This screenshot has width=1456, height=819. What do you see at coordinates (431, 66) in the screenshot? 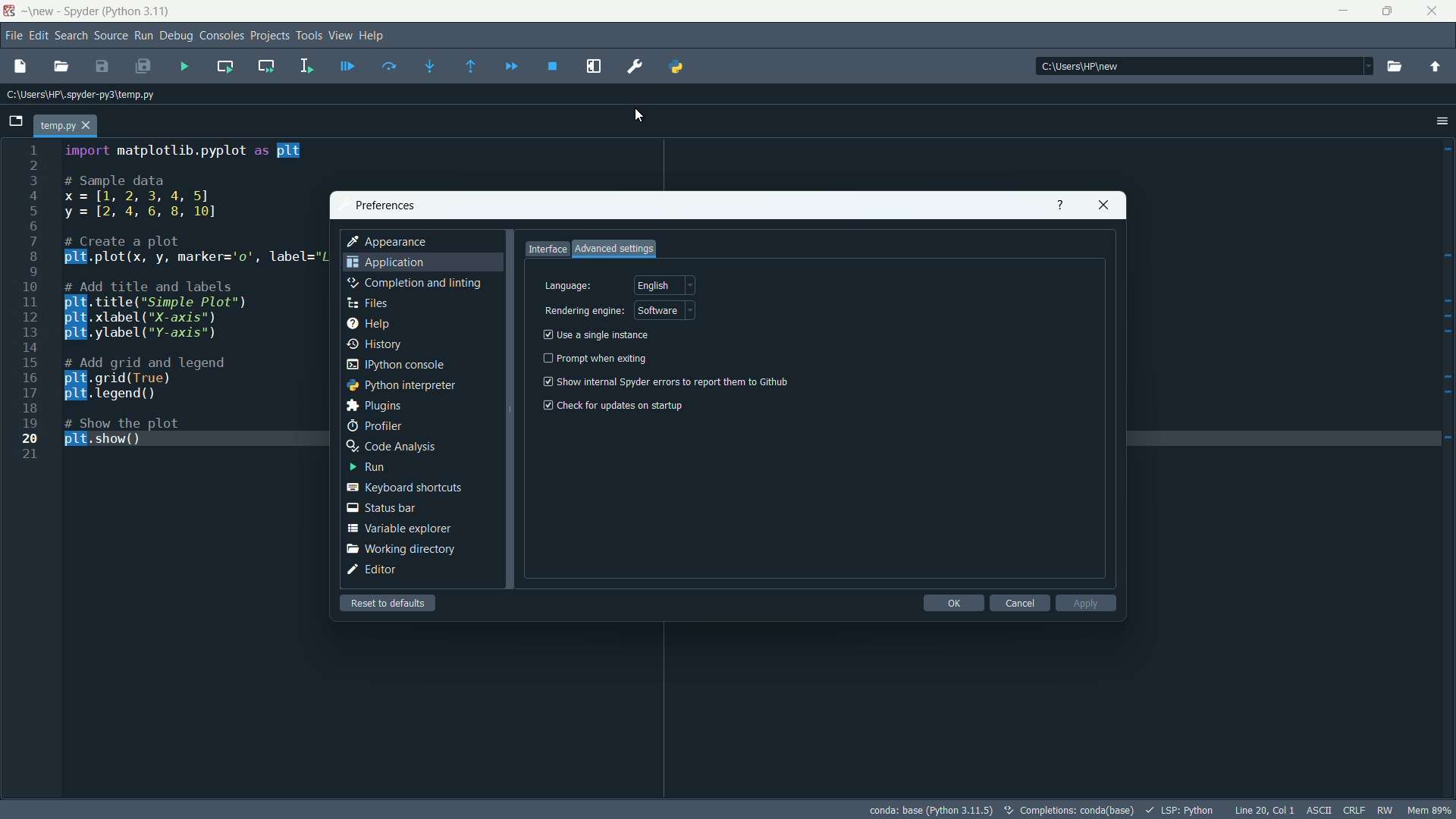
I see `step into function` at bounding box center [431, 66].